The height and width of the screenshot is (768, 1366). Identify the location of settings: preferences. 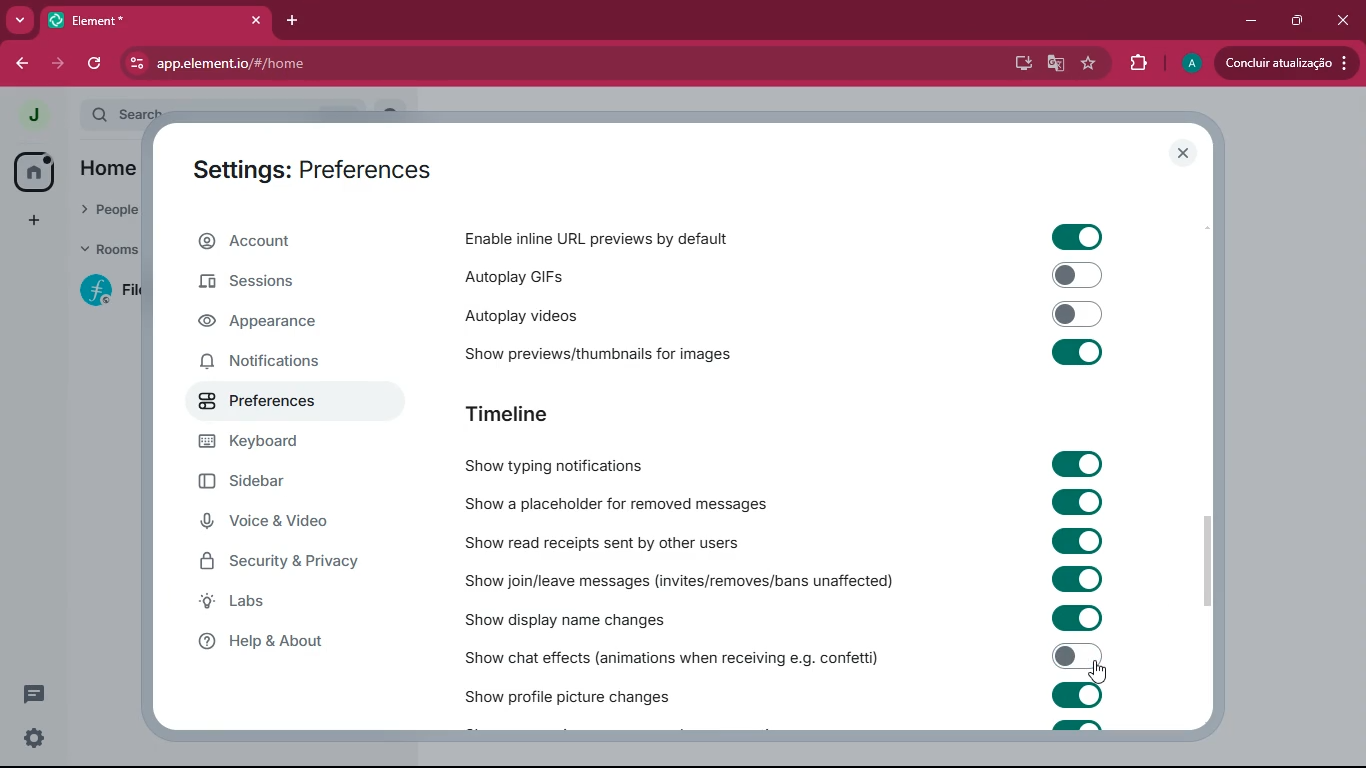
(323, 168).